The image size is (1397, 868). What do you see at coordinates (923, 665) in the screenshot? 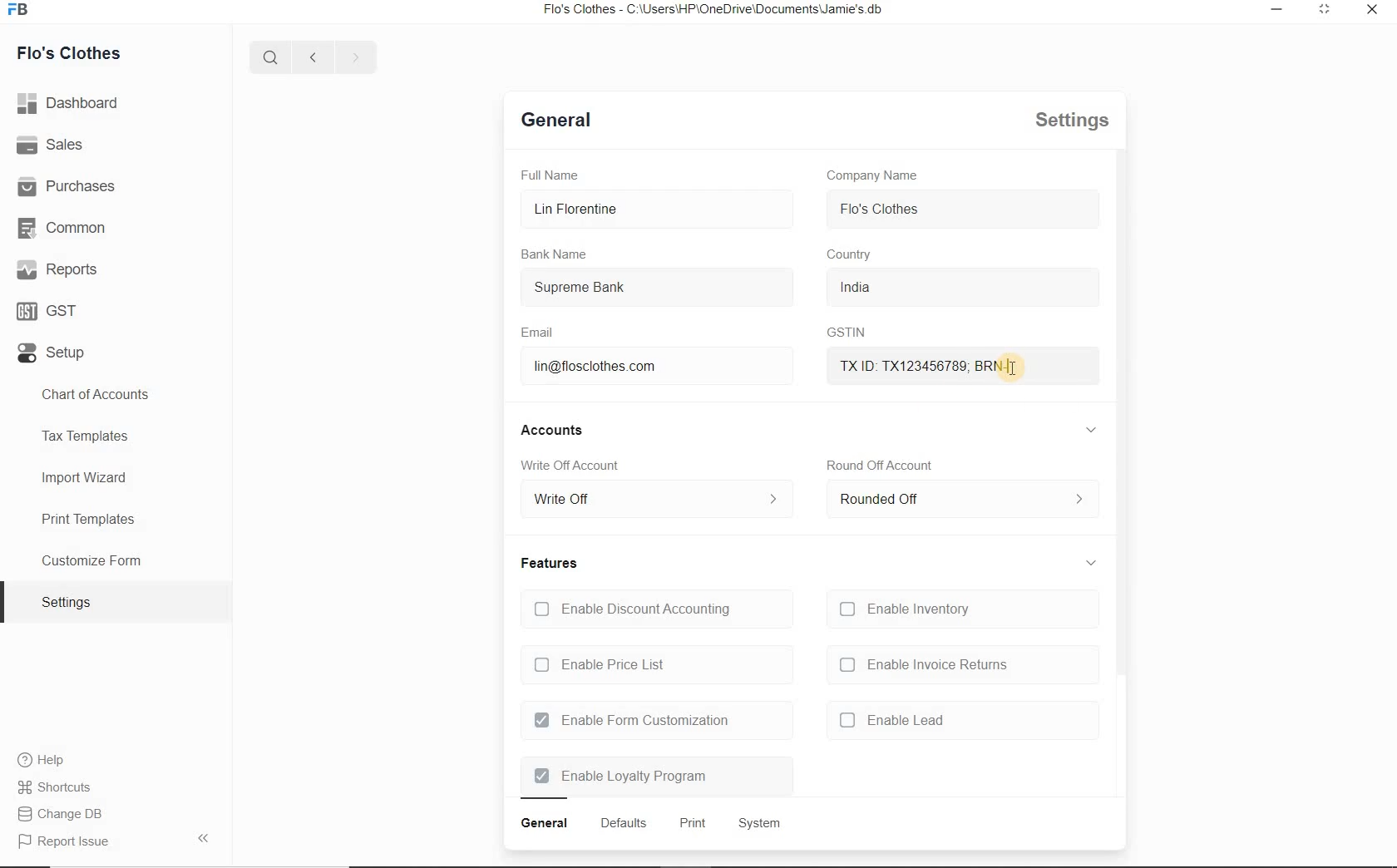
I see `enable invoice returns` at bounding box center [923, 665].